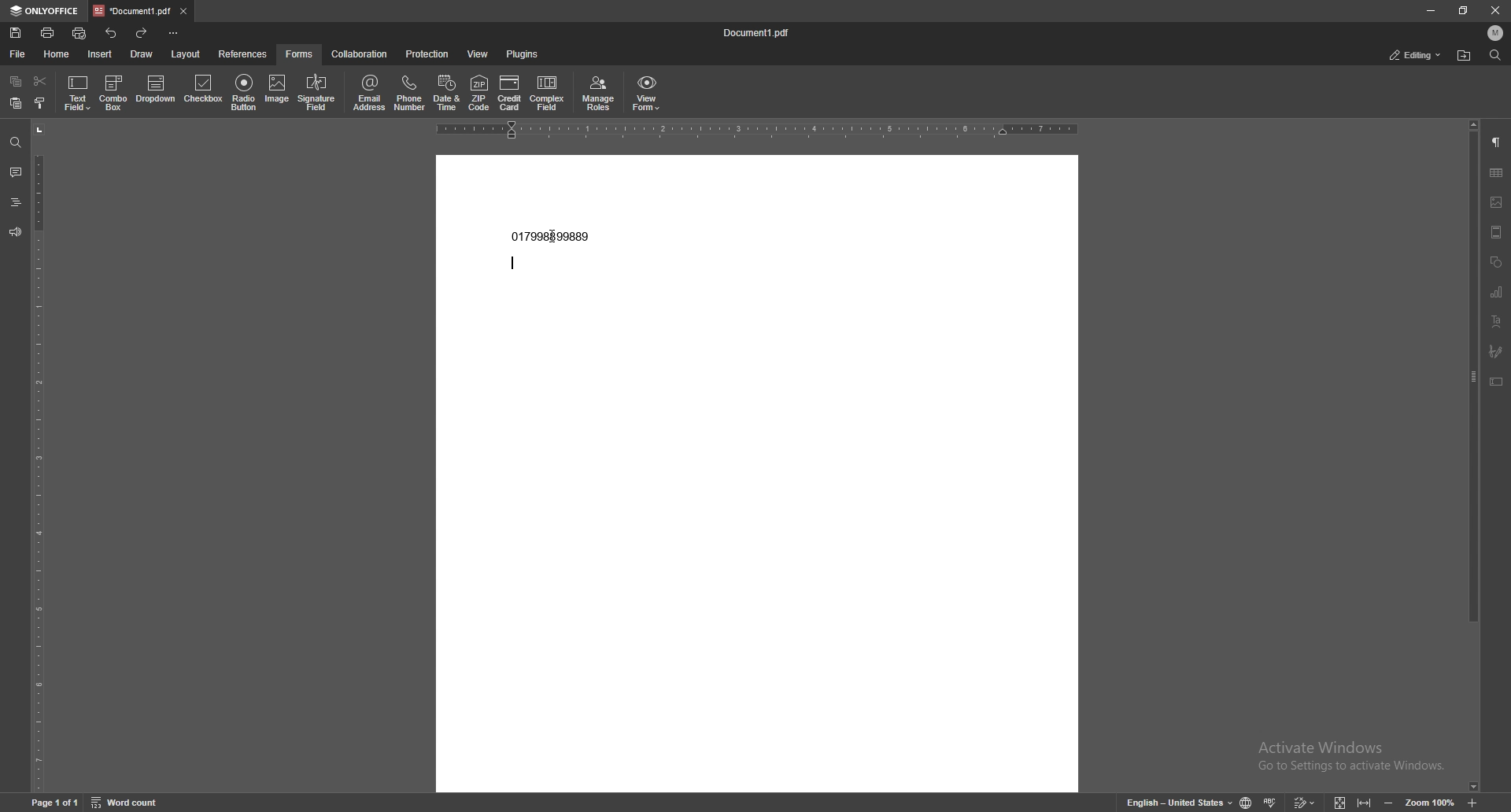 The width and height of the screenshot is (1511, 812). Describe the element at coordinates (16, 103) in the screenshot. I see `paste` at that location.